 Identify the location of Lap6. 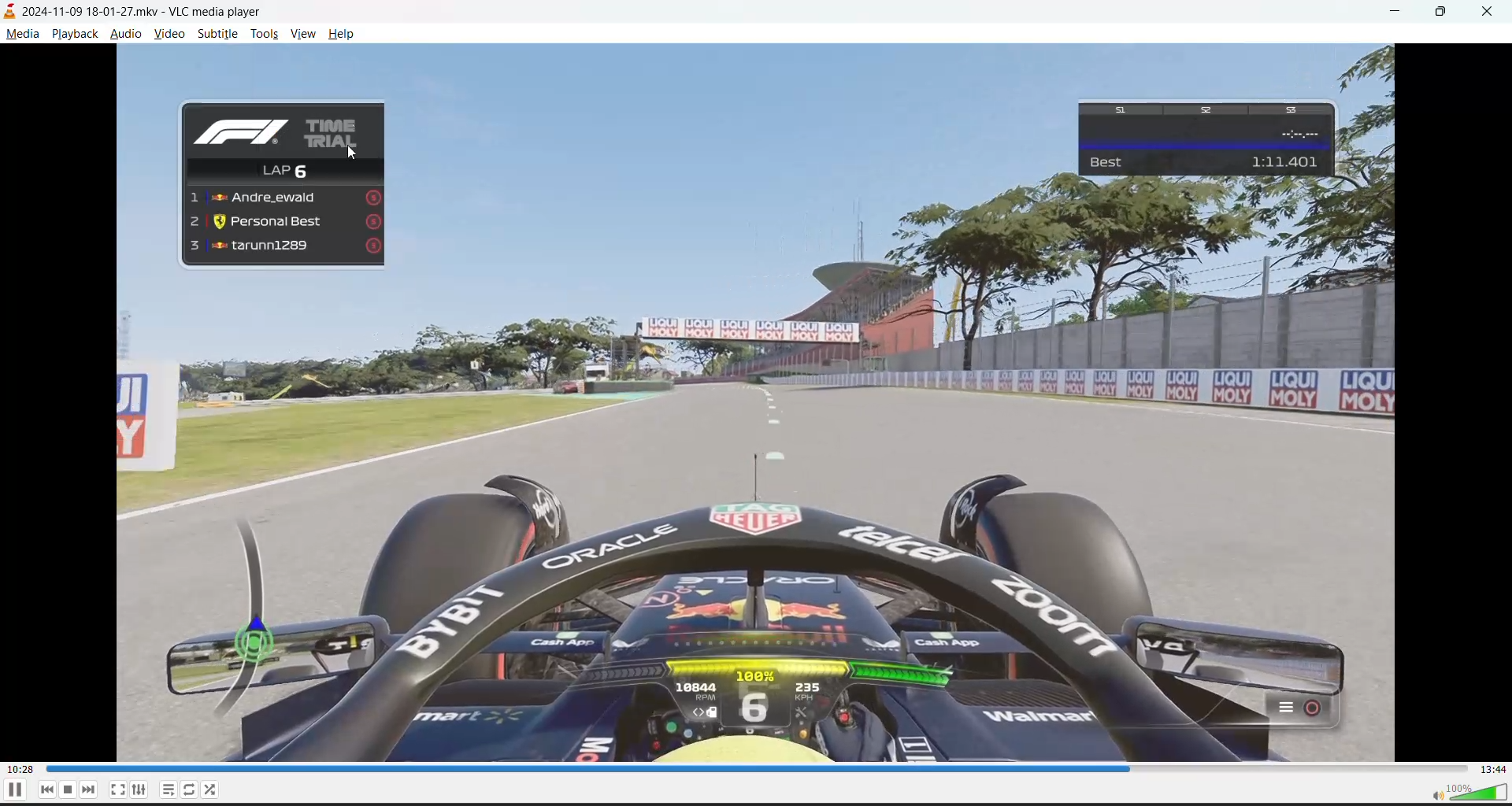
(277, 170).